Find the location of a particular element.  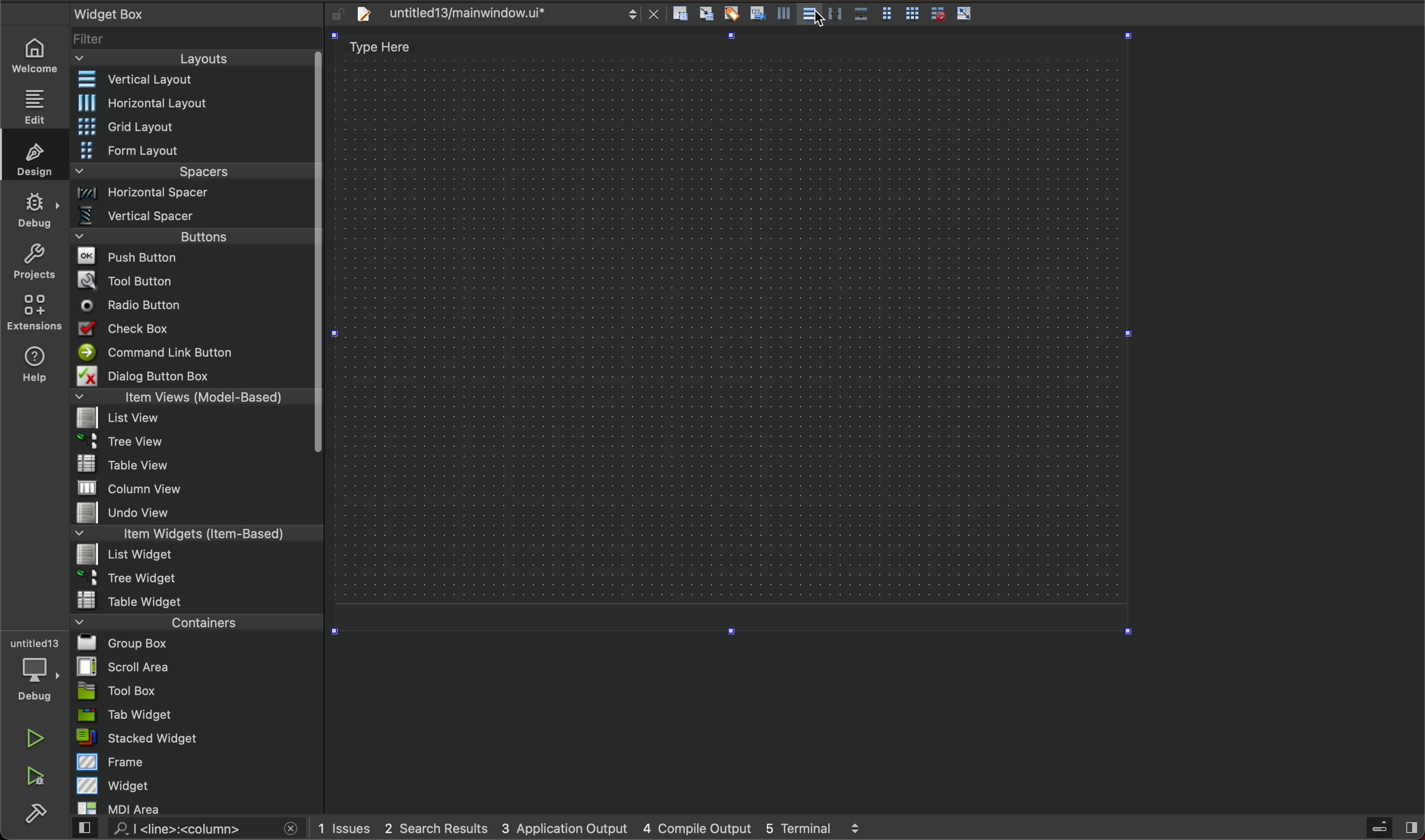

close sidebar is located at coordinates (1390, 828).